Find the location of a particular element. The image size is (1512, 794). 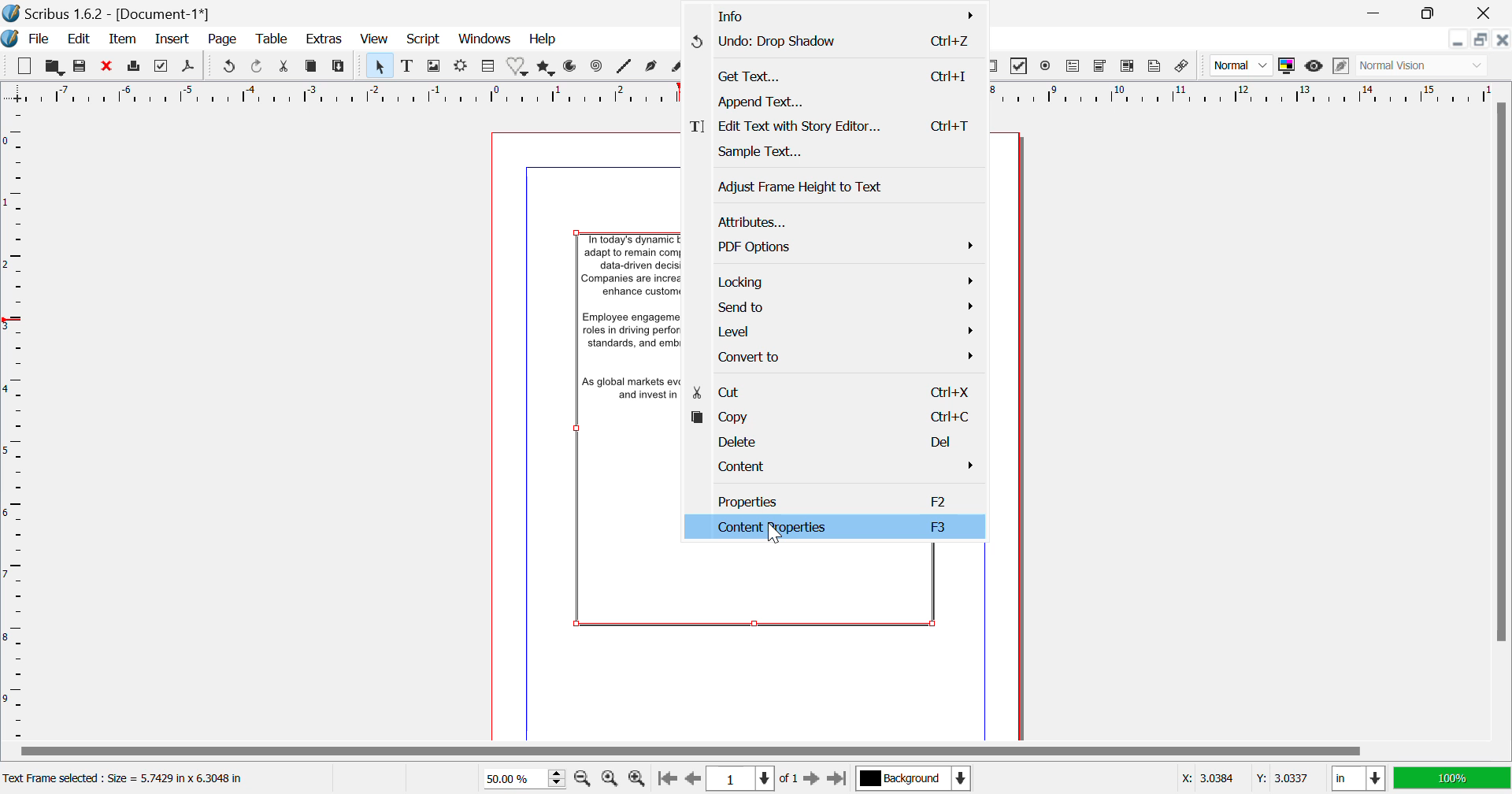

Scroll Bar is located at coordinates (765, 750).